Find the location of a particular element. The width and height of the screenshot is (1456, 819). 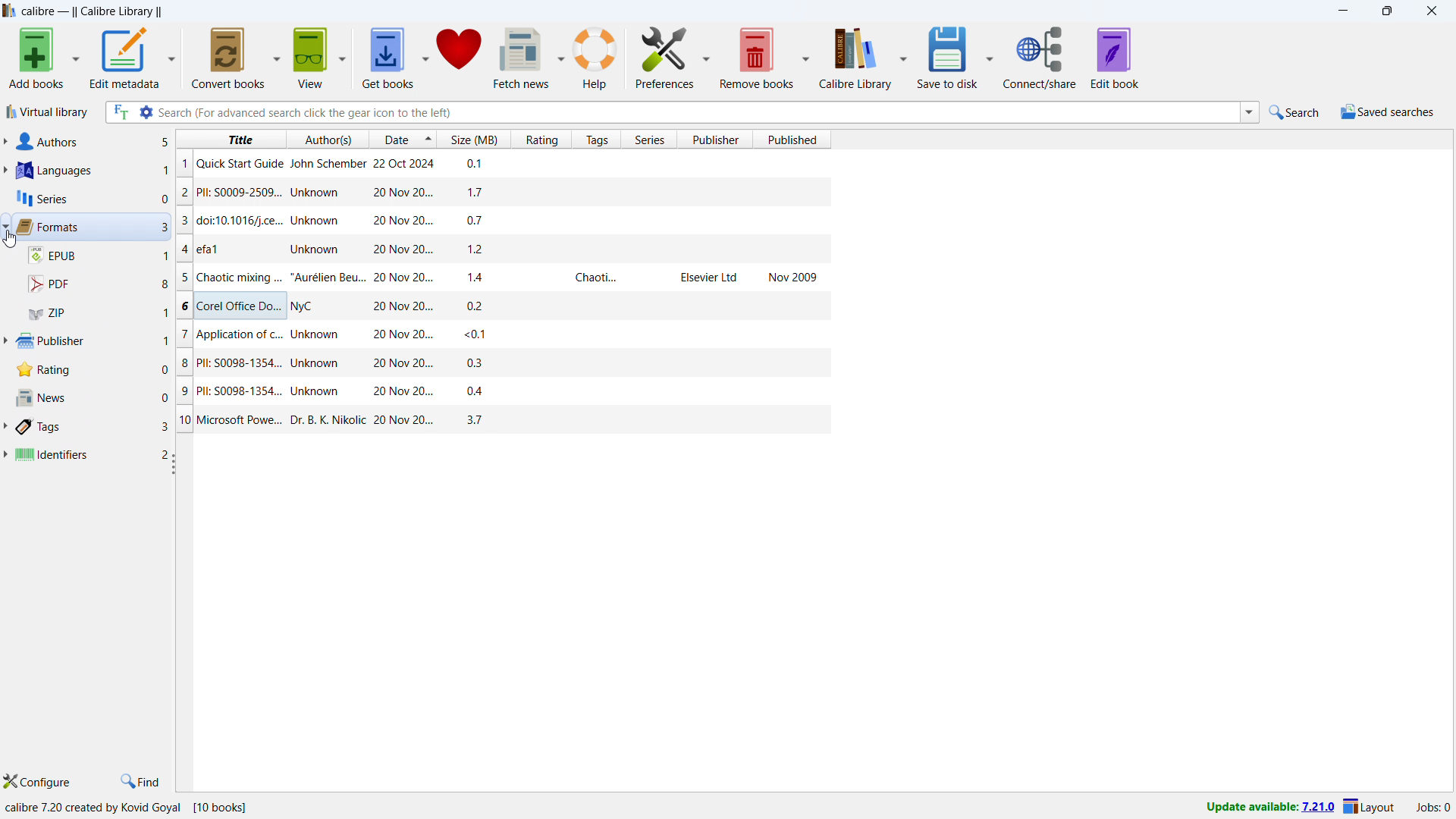

save to disk is located at coordinates (946, 57).